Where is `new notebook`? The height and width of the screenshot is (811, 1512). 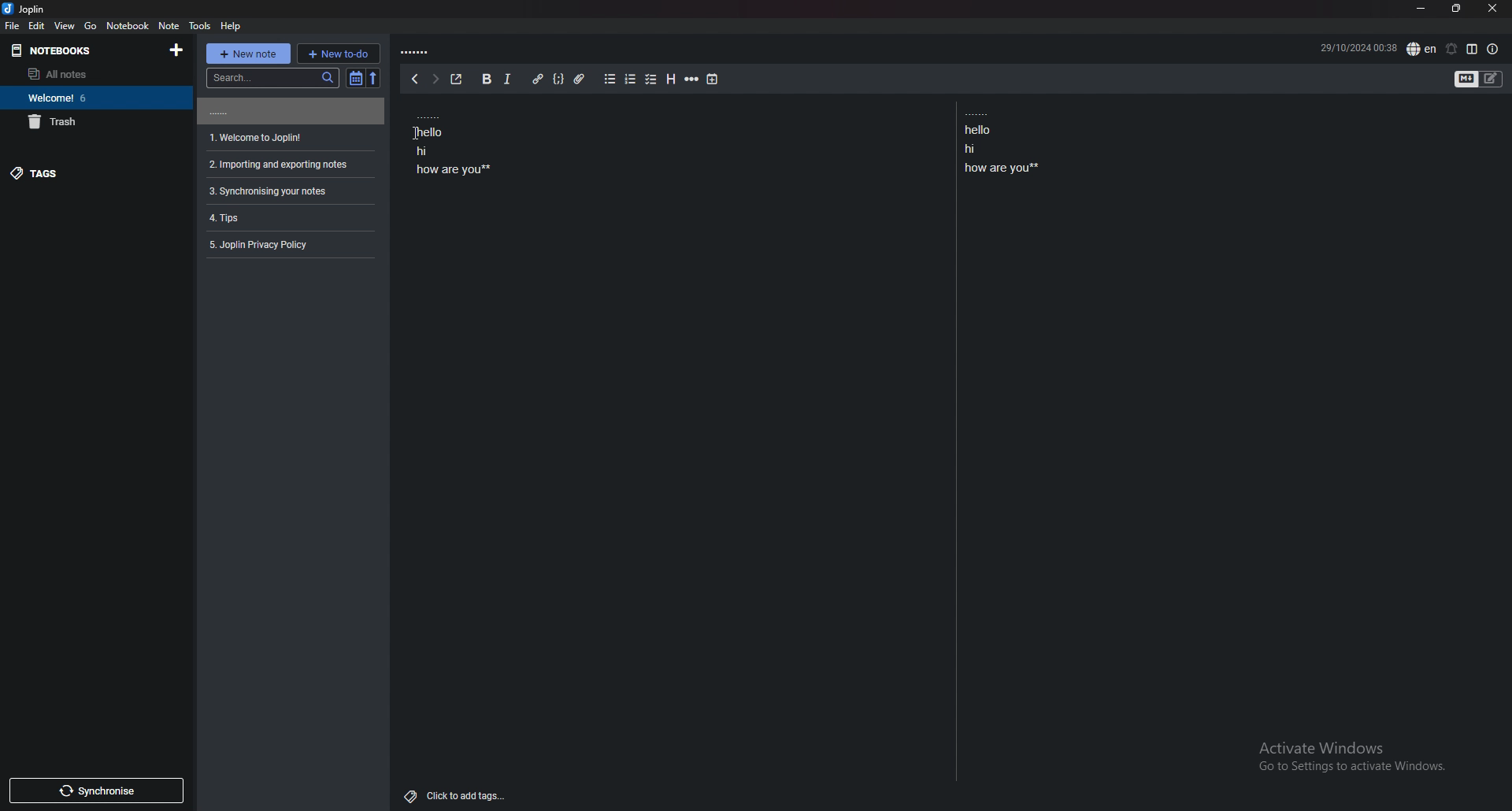
new notebook is located at coordinates (178, 50).